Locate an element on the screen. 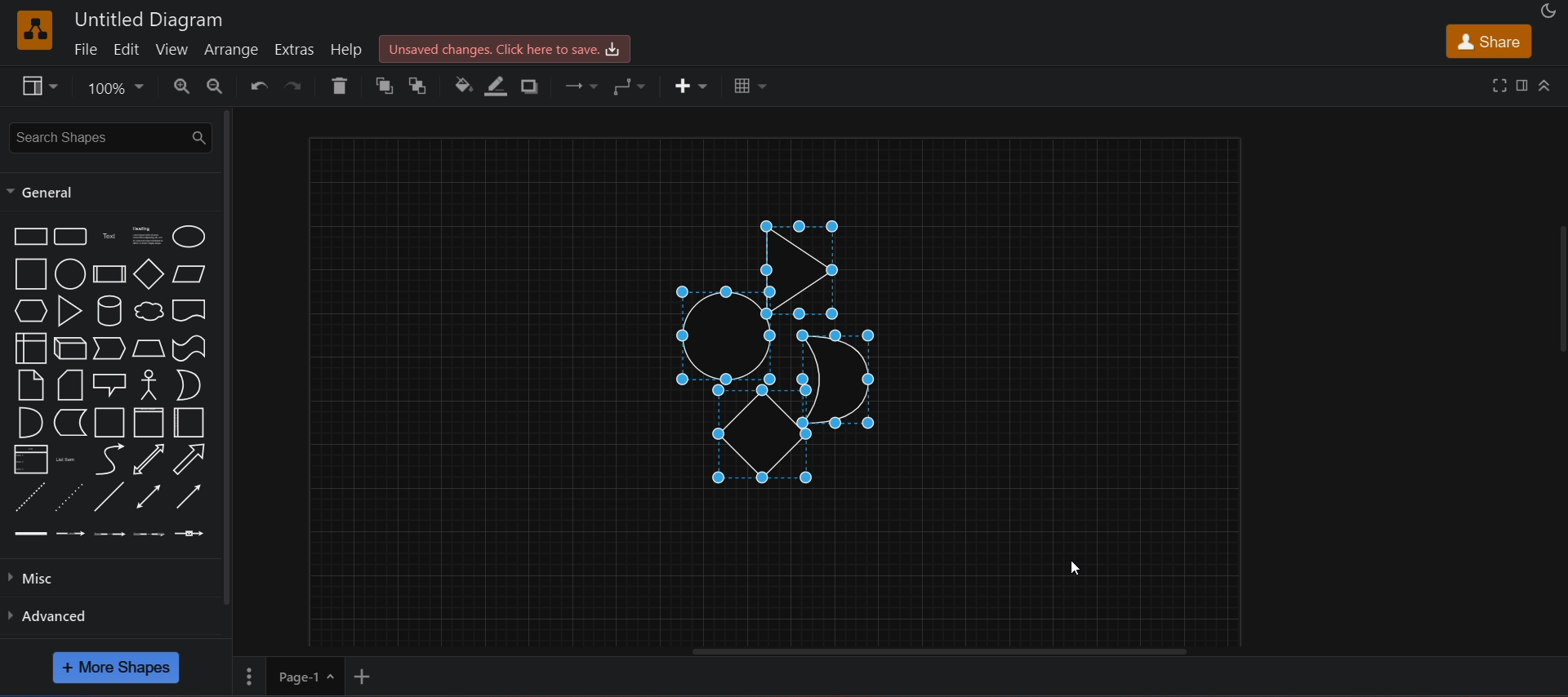 The image size is (1568, 697). process is located at coordinates (109, 273).